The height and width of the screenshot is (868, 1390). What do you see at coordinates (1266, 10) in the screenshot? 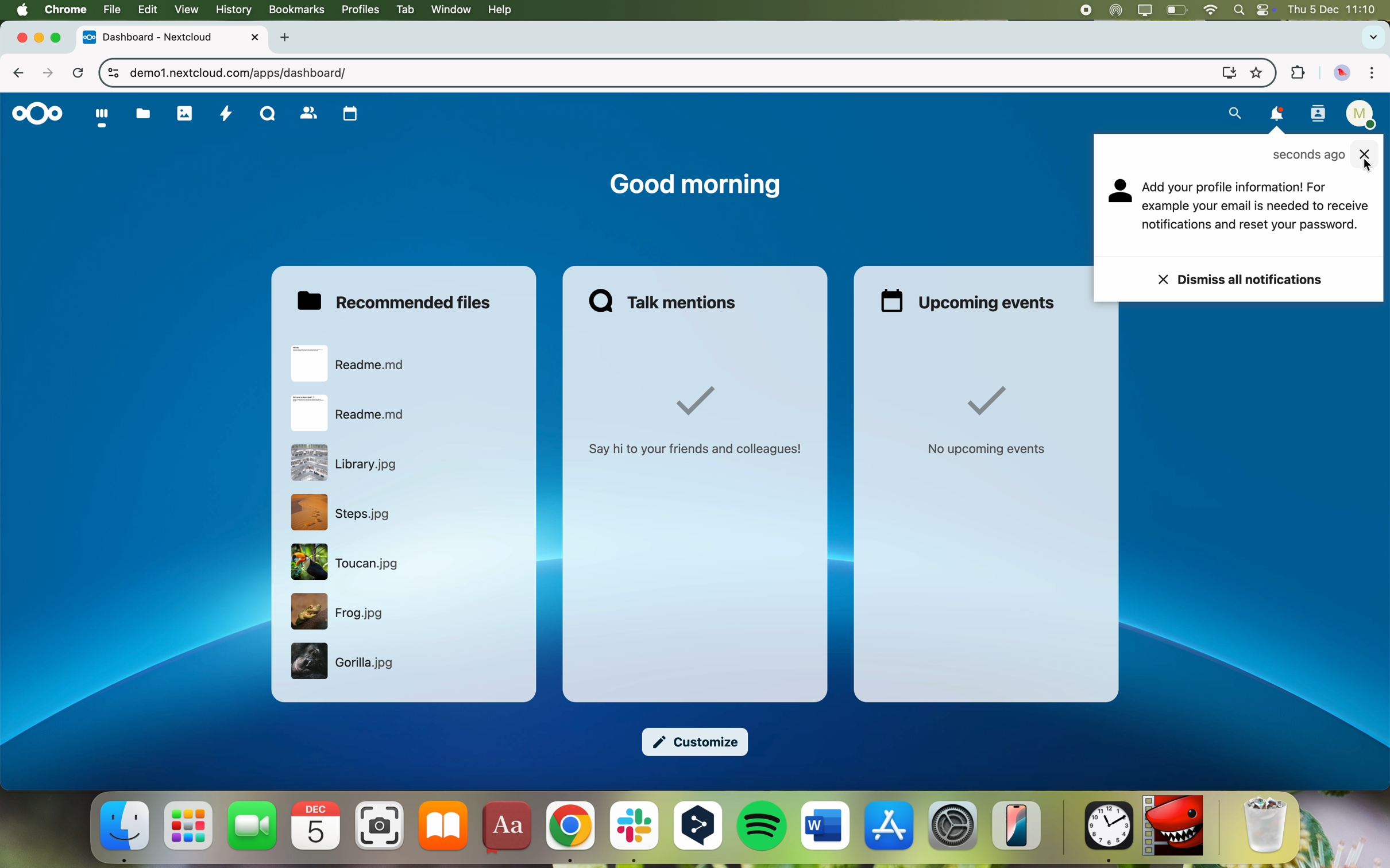
I see `controls` at bounding box center [1266, 10].